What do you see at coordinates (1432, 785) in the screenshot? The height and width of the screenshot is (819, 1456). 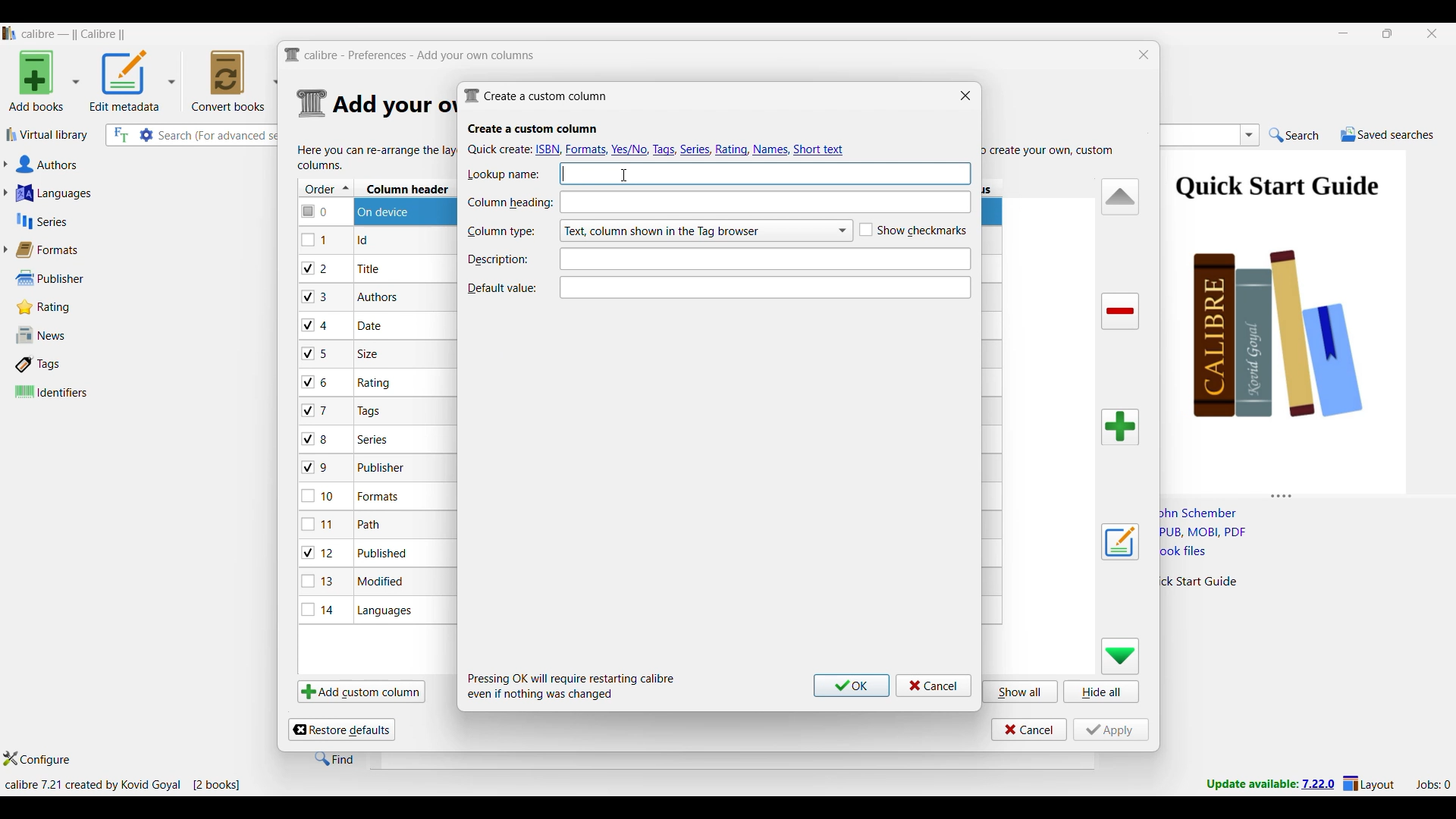 I see `Current jobs` at bounding box center [1432, 785].